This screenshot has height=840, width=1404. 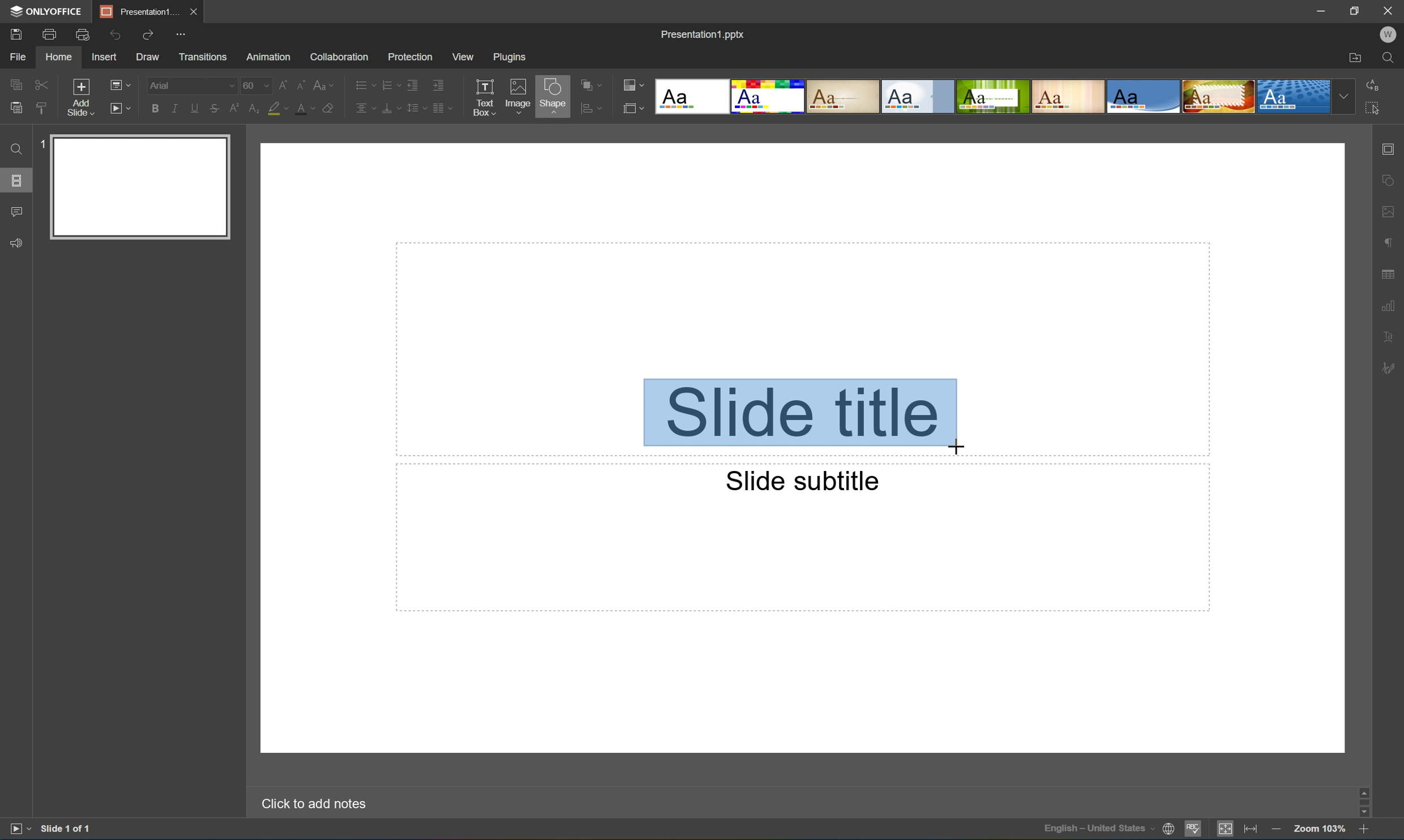 What do you see at coordinates (1319, 829) in the screenshot?
I see `Zoom 103%` at bounding box center [1319, 829].